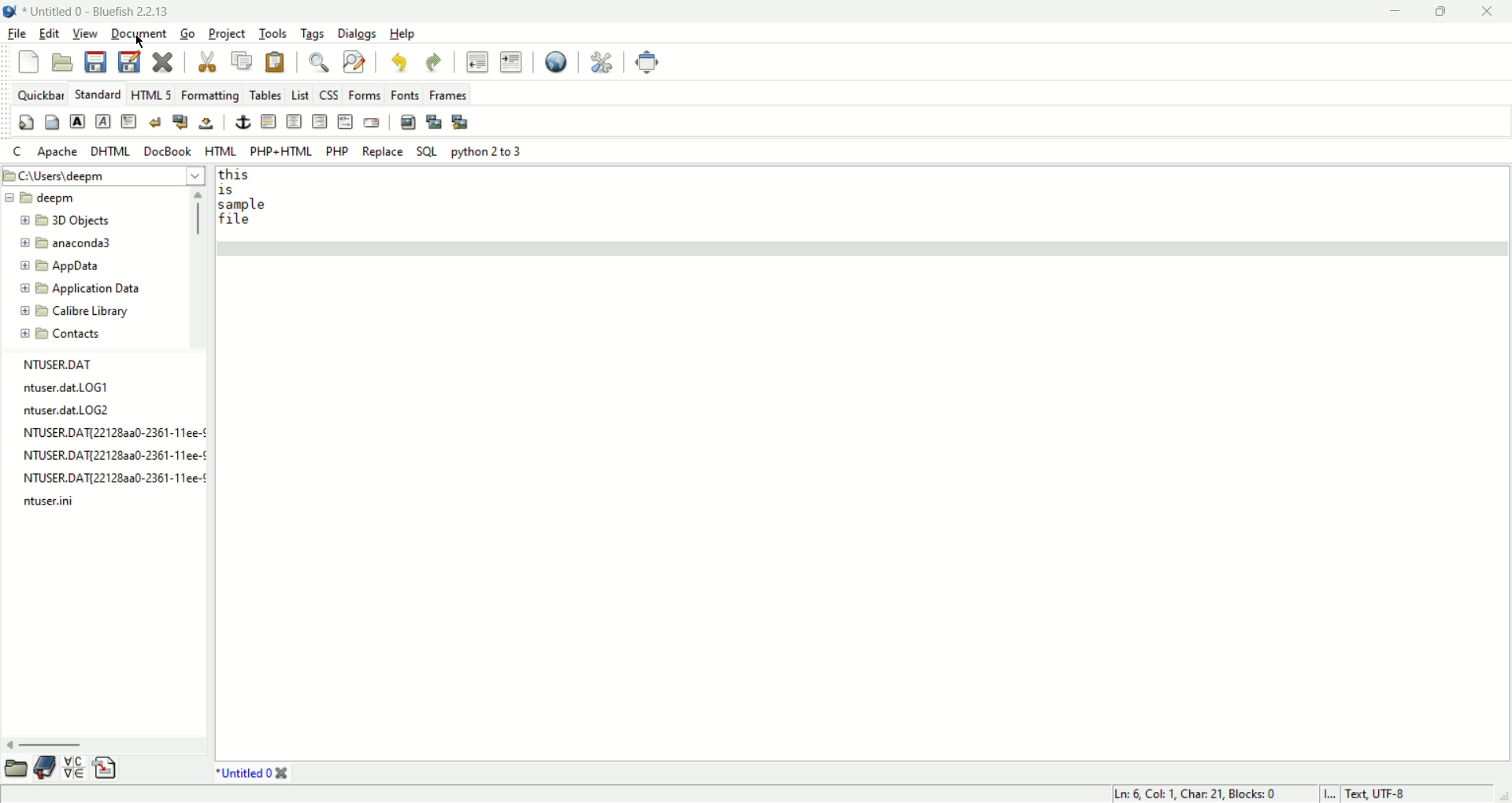 This screenshot has width=1512, height=803. What do you see at coordinates (317, 61) in the screenshot?
I see `show find bar` at bounding box center [317, 61].